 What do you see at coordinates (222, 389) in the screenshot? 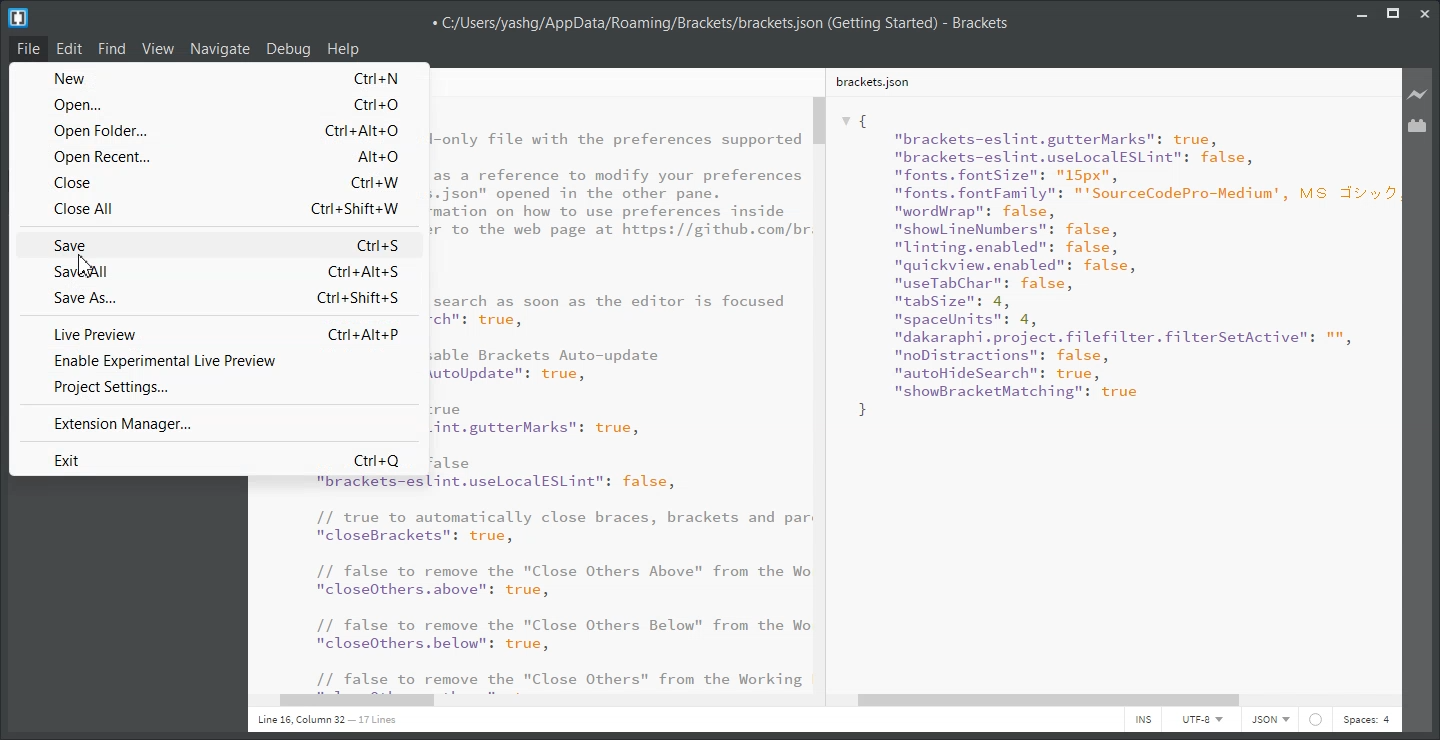
I see `Project Settings...` at bounding box center [222, 389].